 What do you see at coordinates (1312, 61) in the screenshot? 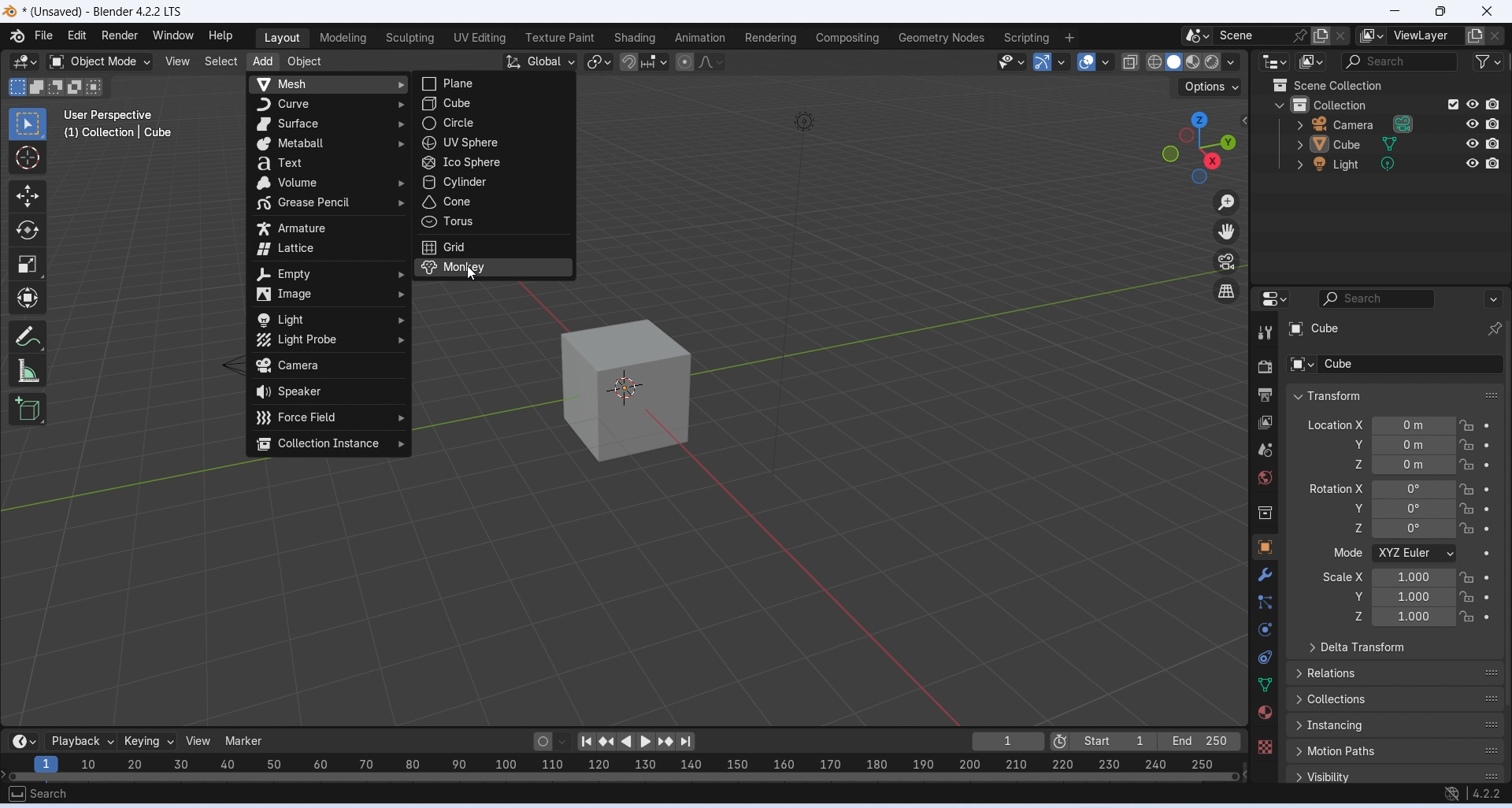
I see `display mode` at bounding box center [1312, 61].